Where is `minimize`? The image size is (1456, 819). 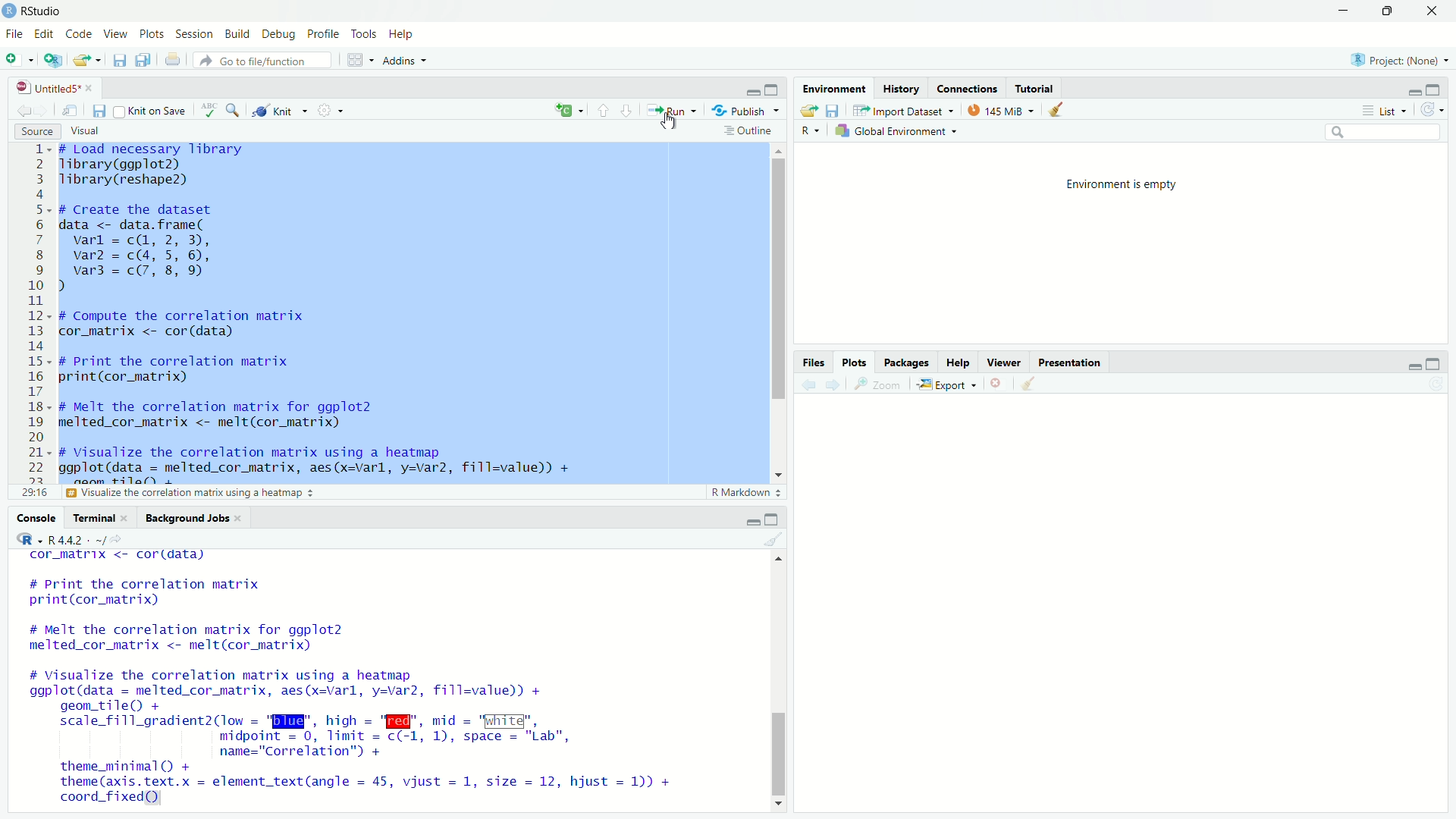
minimize is located at coordinates (1343, 11).